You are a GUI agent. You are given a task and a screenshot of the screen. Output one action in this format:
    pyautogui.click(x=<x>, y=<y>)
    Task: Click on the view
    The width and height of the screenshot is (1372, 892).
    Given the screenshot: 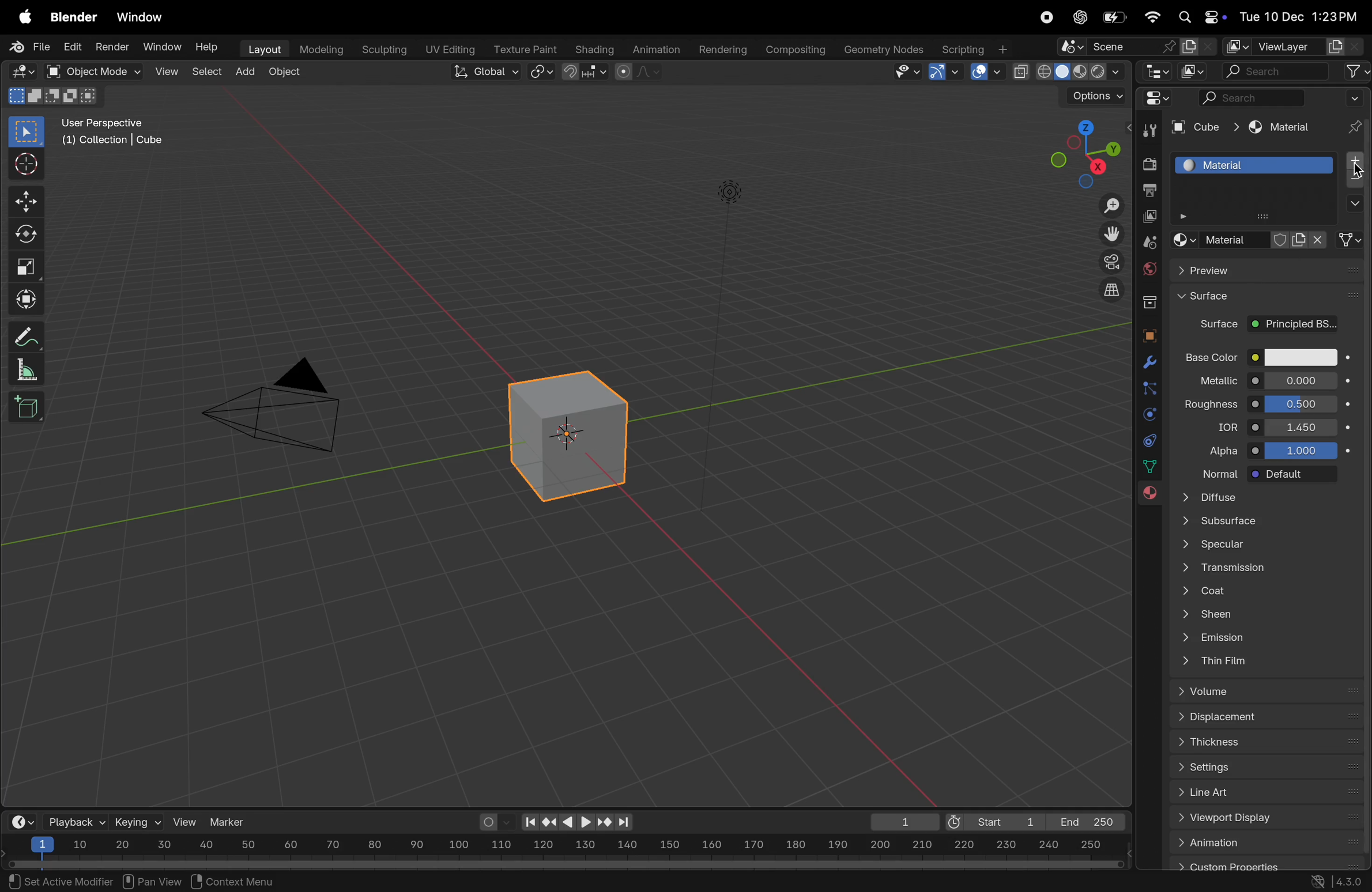 What is the action you would take?
    pyautogui.click(x=186, y=822)
    